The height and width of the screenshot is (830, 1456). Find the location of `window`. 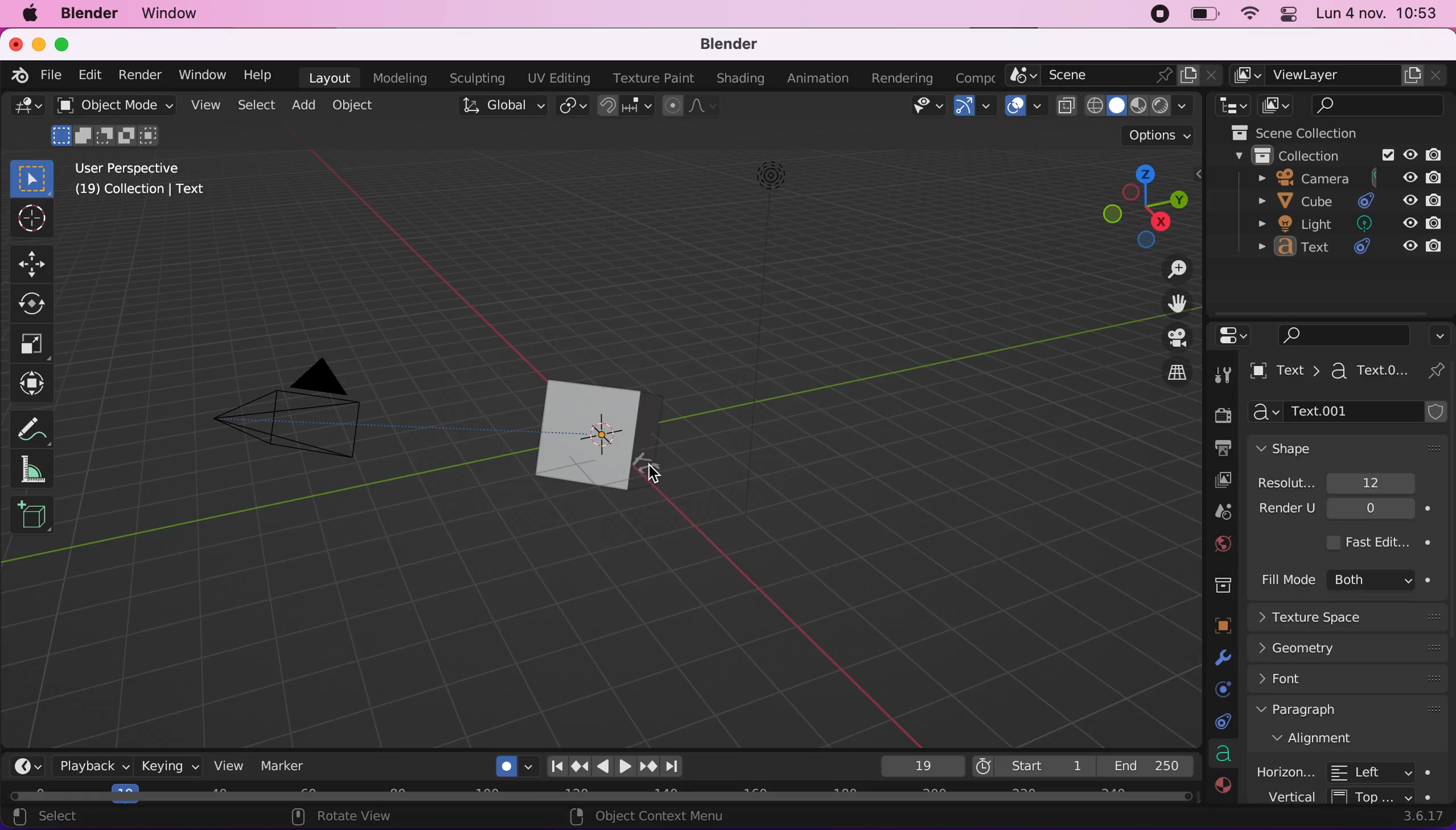

window is located at coordinates (204, 77).